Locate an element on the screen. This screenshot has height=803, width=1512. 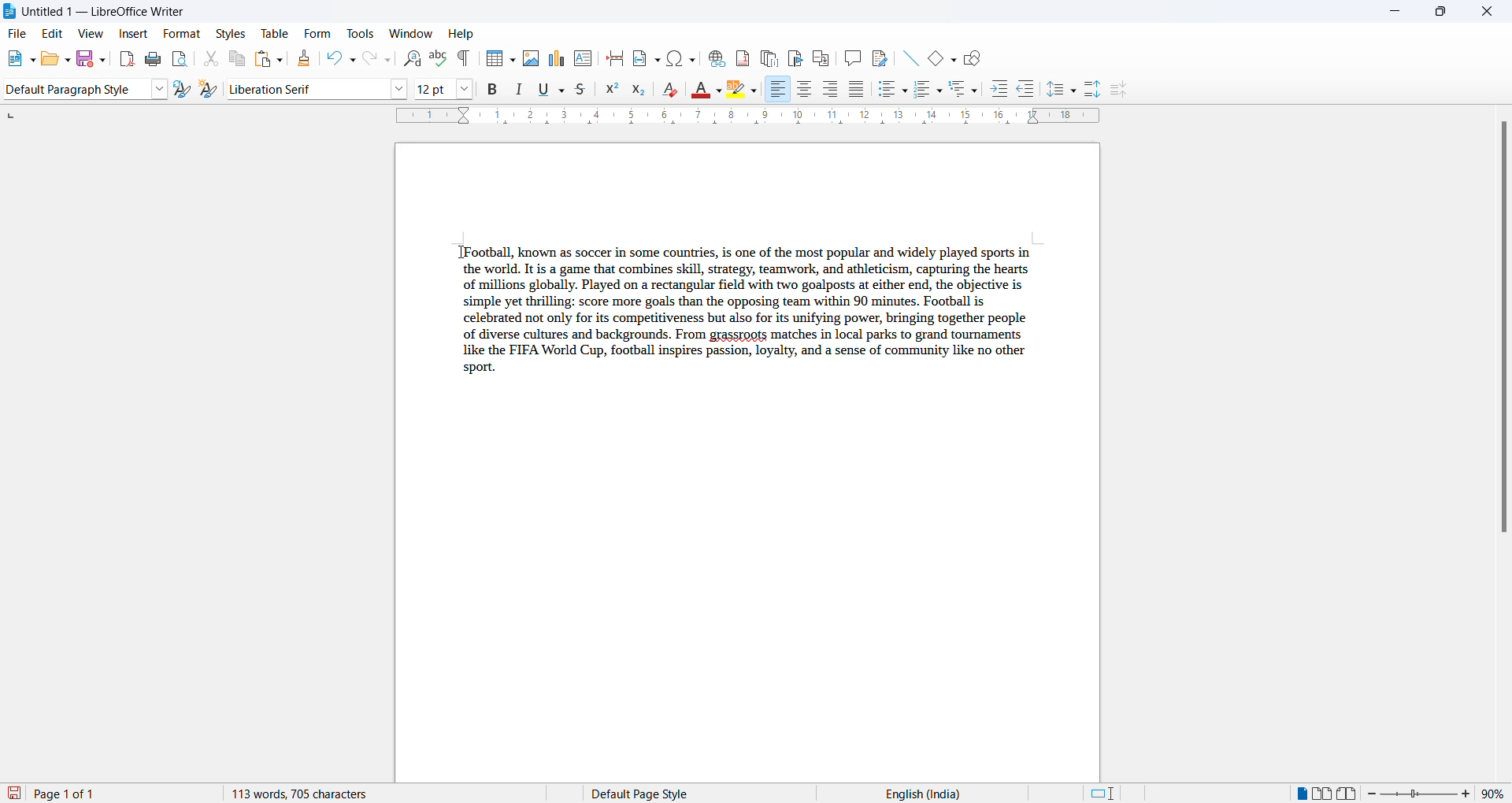
basic shapes options is located at coordinates (955, 61).